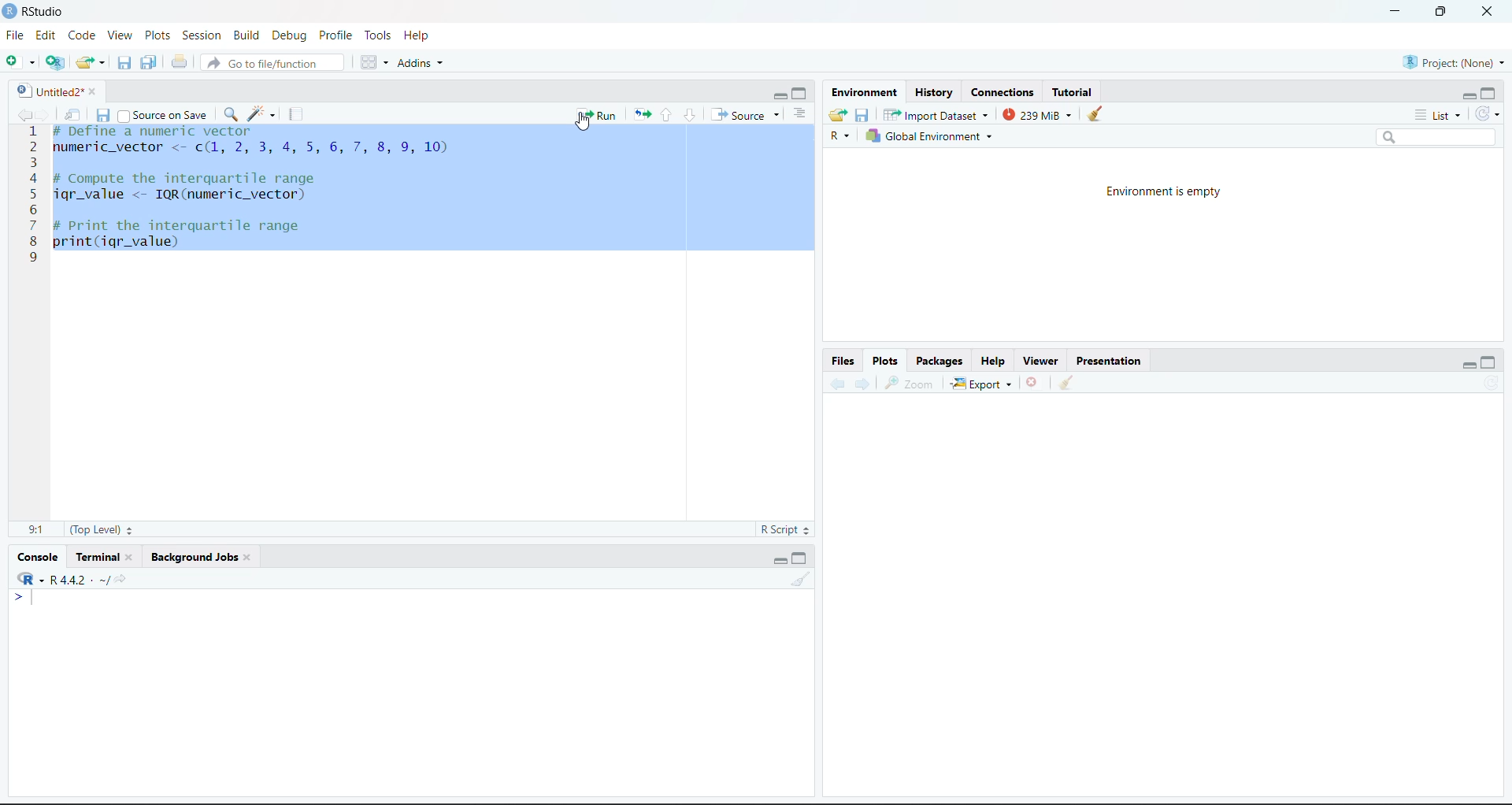  I want to click on Minimize, so click(778, 558).